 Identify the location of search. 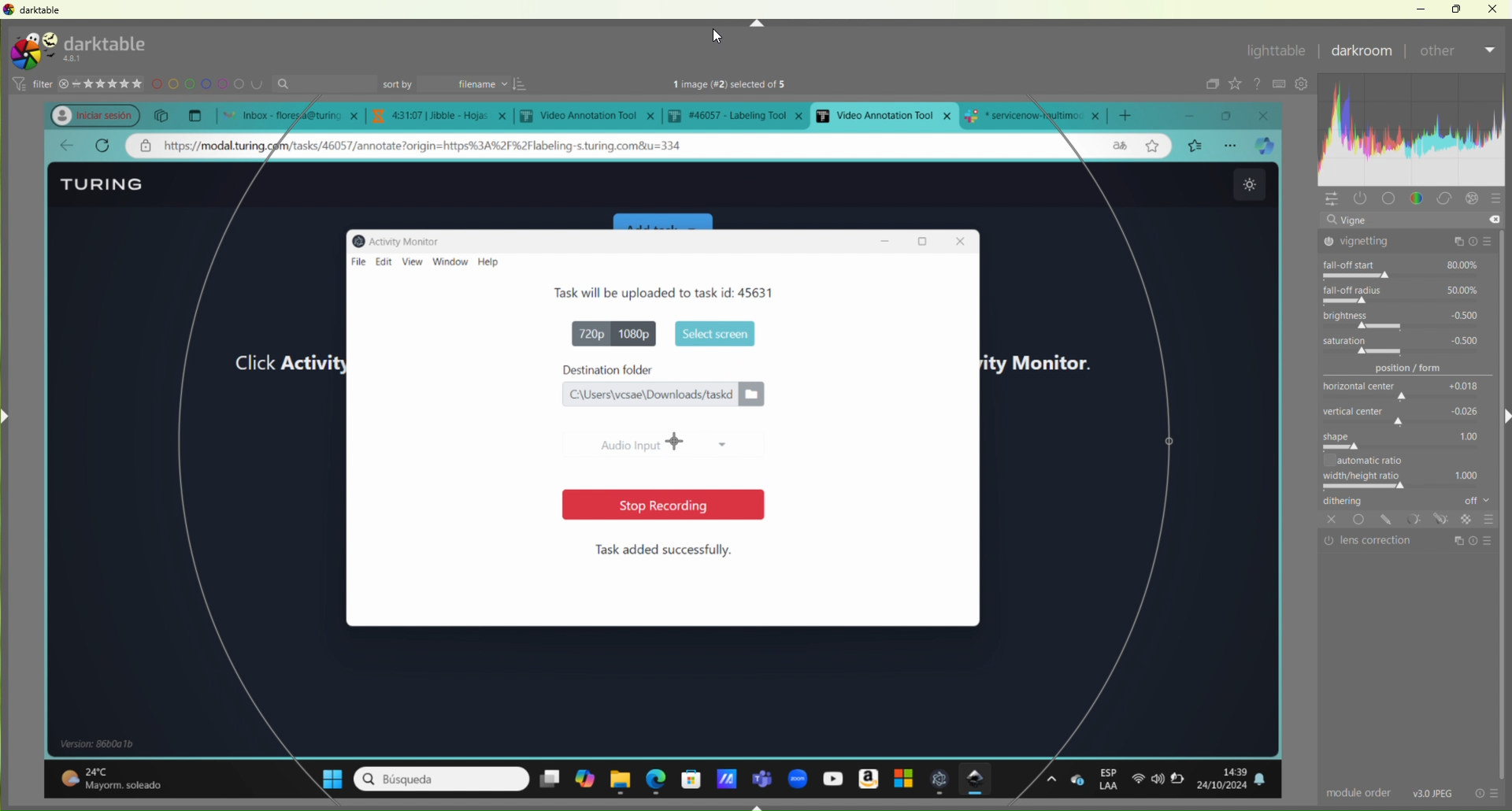
(440, 779).